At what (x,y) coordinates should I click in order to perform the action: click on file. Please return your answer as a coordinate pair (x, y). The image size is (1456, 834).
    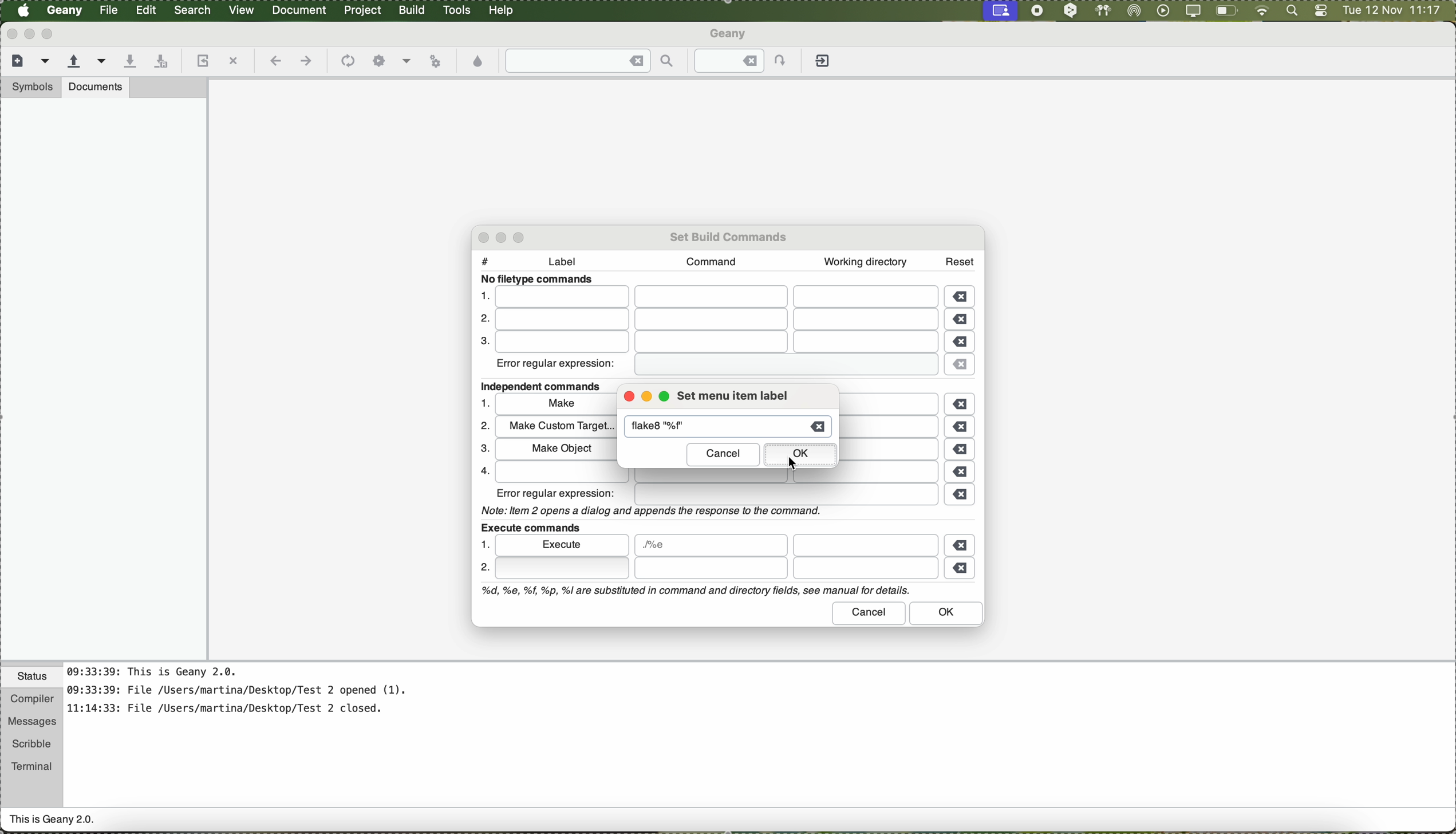
    Looking at the image, I should click on (711, 545).